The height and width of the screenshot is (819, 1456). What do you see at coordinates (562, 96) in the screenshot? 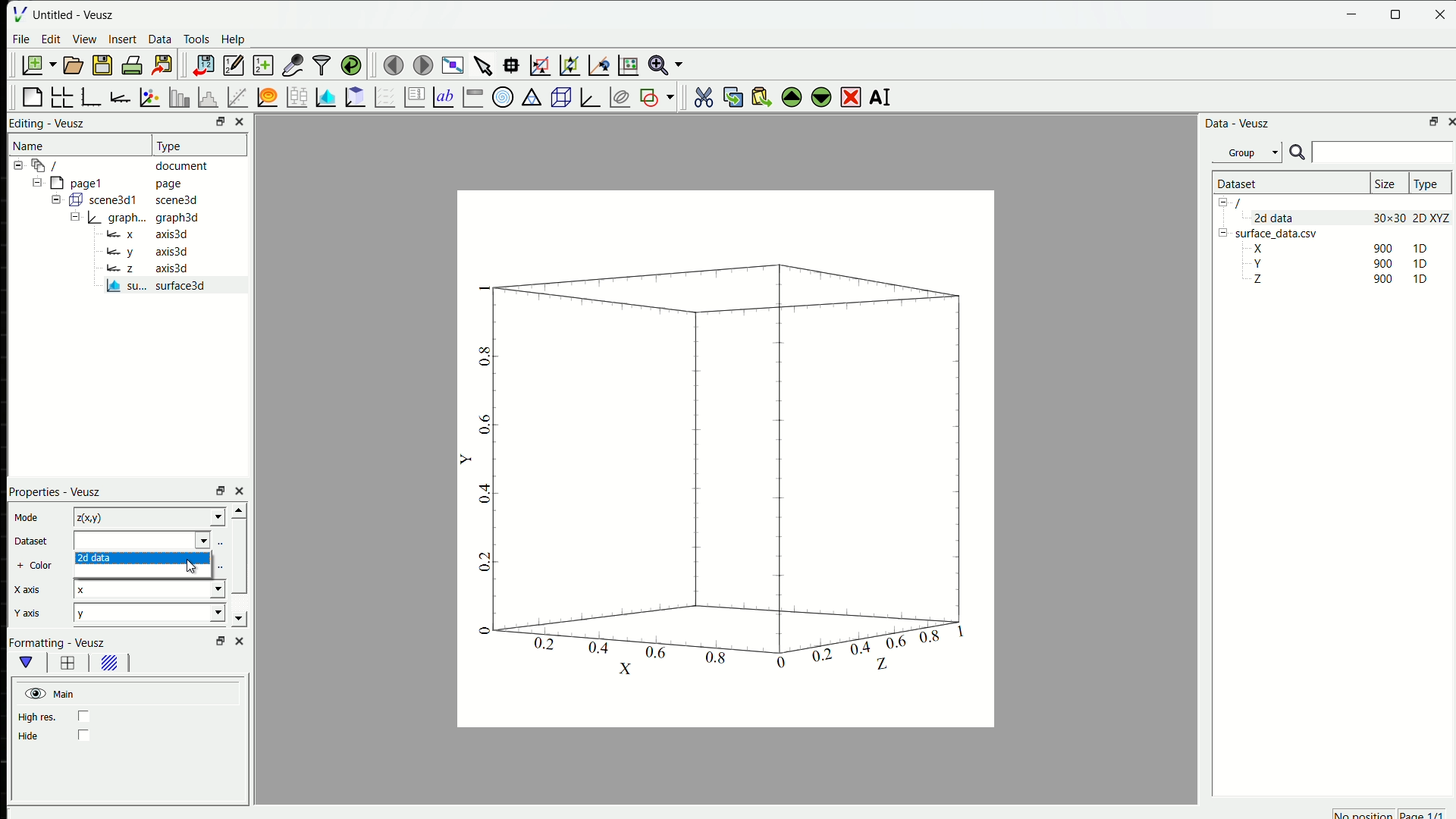
I see `3D scene` at bounding box center [562, 96].